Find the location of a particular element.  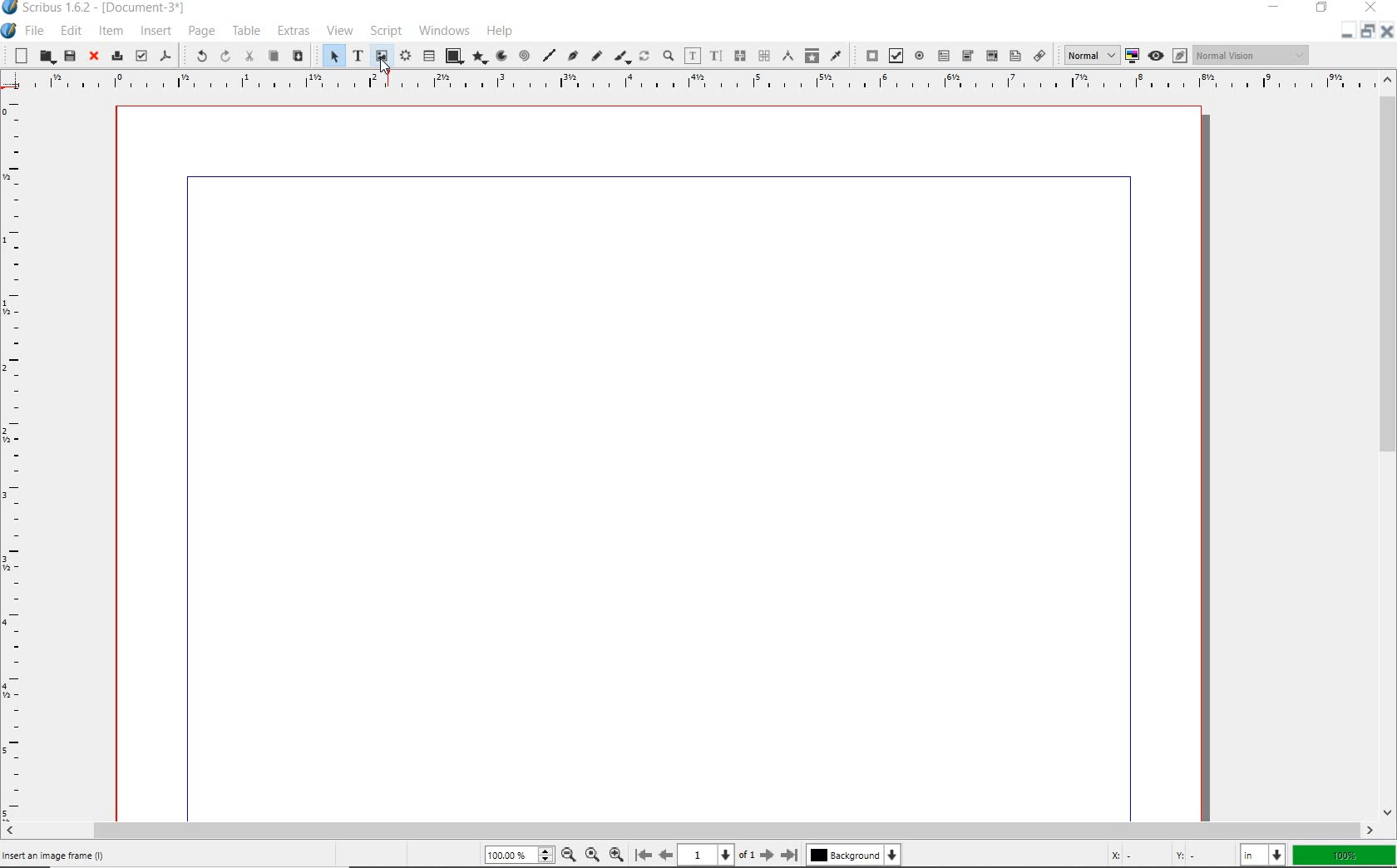

image frame is located at coordinates (381, 57).